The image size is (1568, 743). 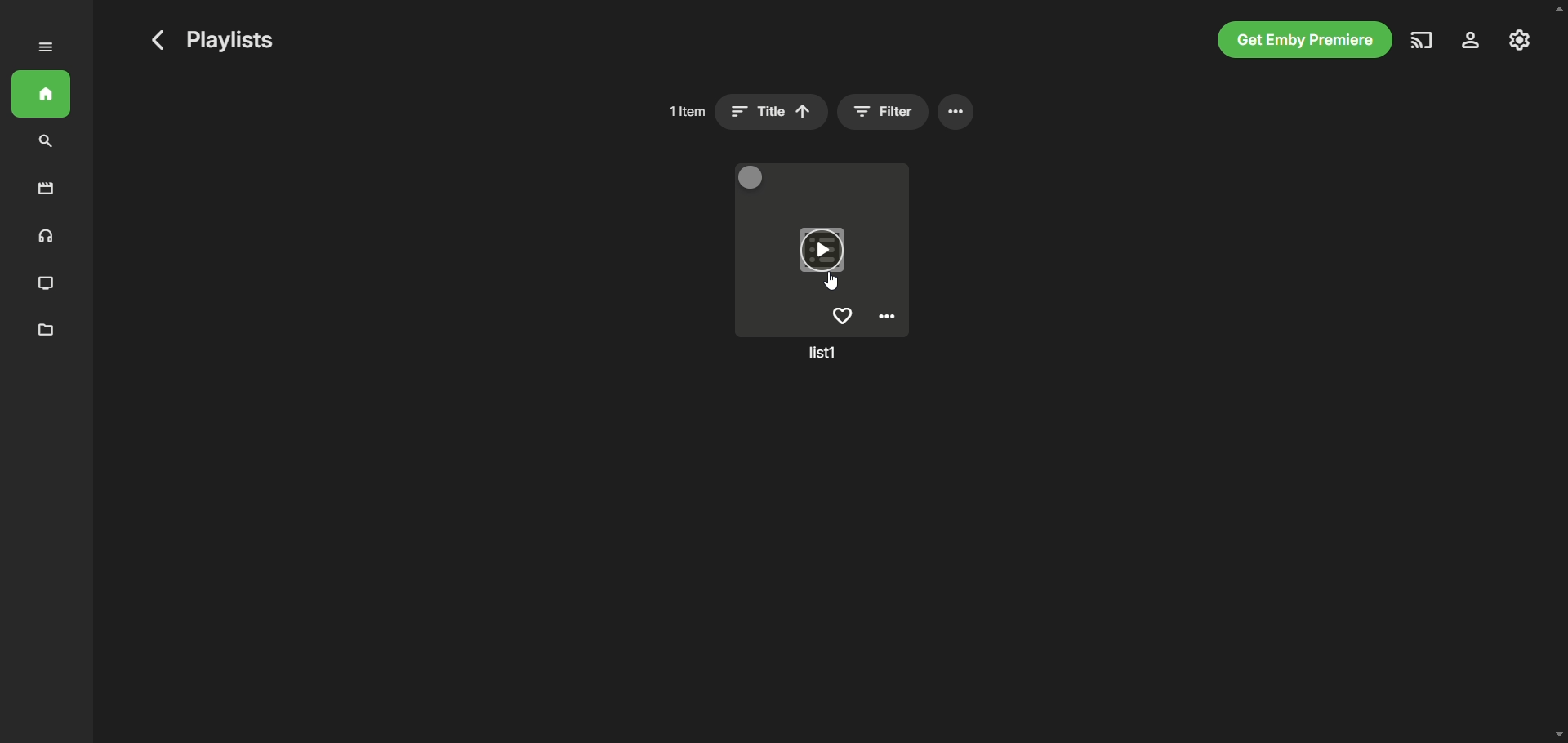 I want to click on music, so click(x=43, y=238).